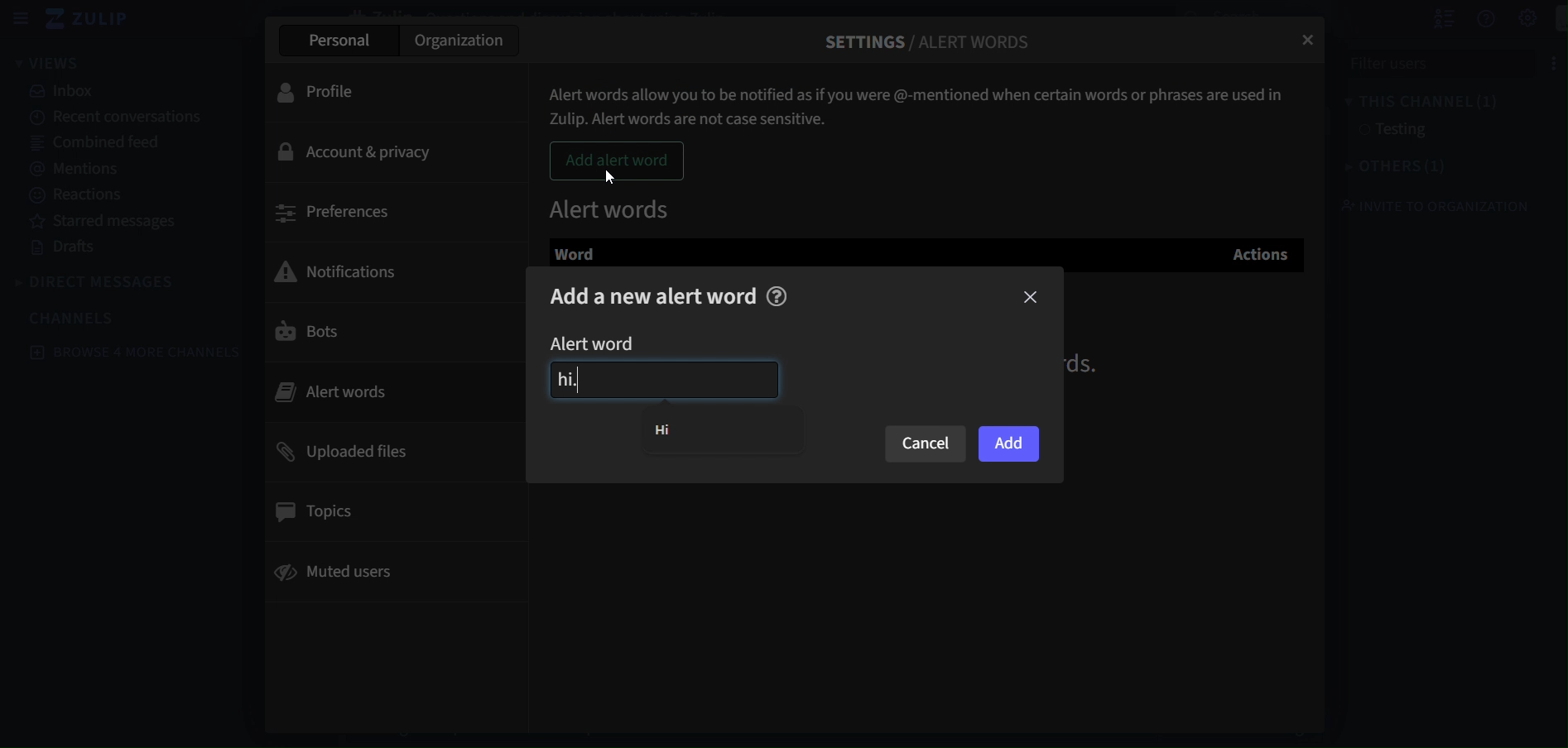 This screenshot has height=748, width=1568. Describe the element at coordinates (78, 194) in the screenshot. I see `reactions` at that location.